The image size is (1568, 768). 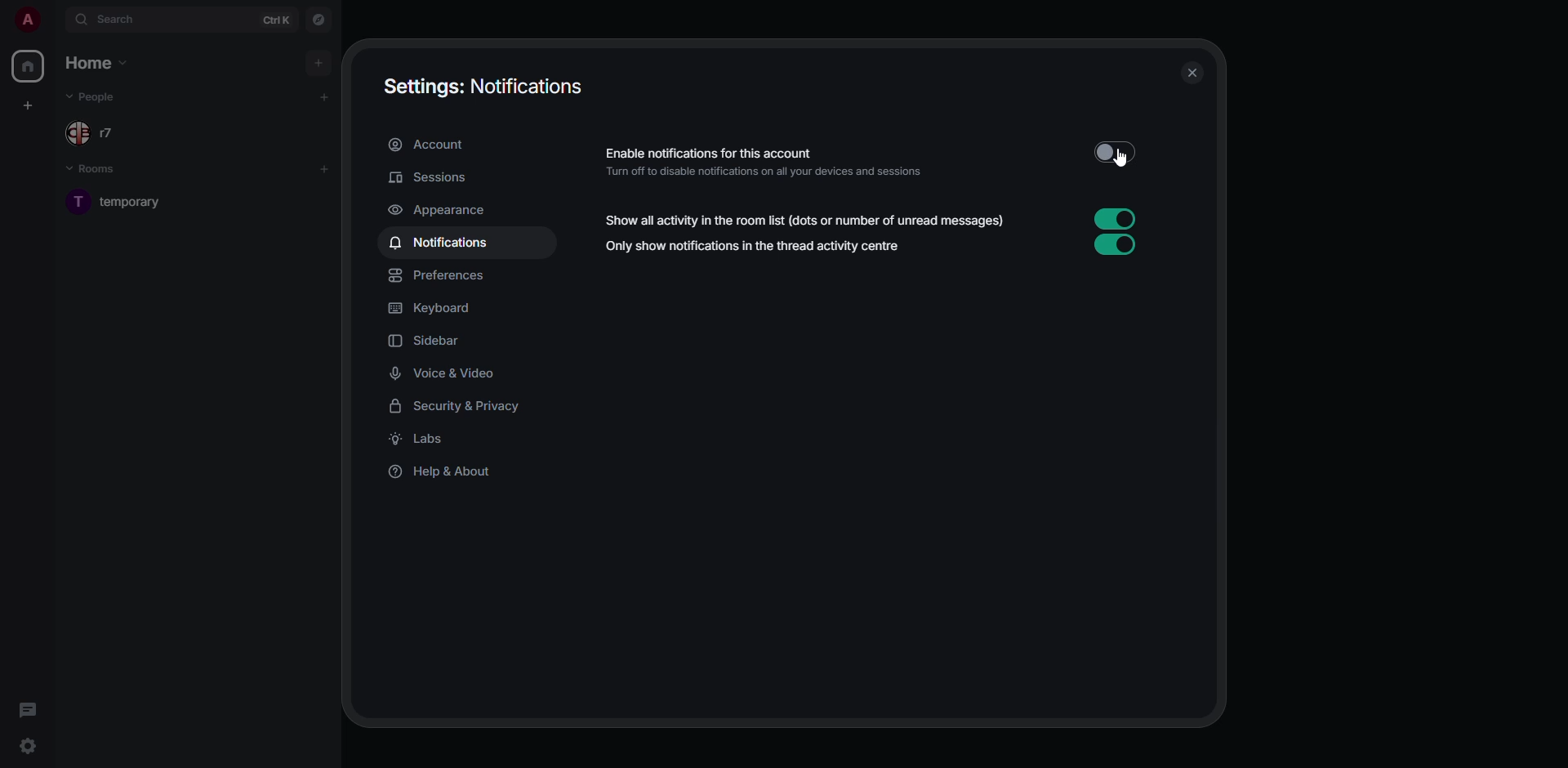 What do you see at coordinates (771, 163) in the screenshot?
I see `enable notifications for this account` at bounding box center [771, 163].